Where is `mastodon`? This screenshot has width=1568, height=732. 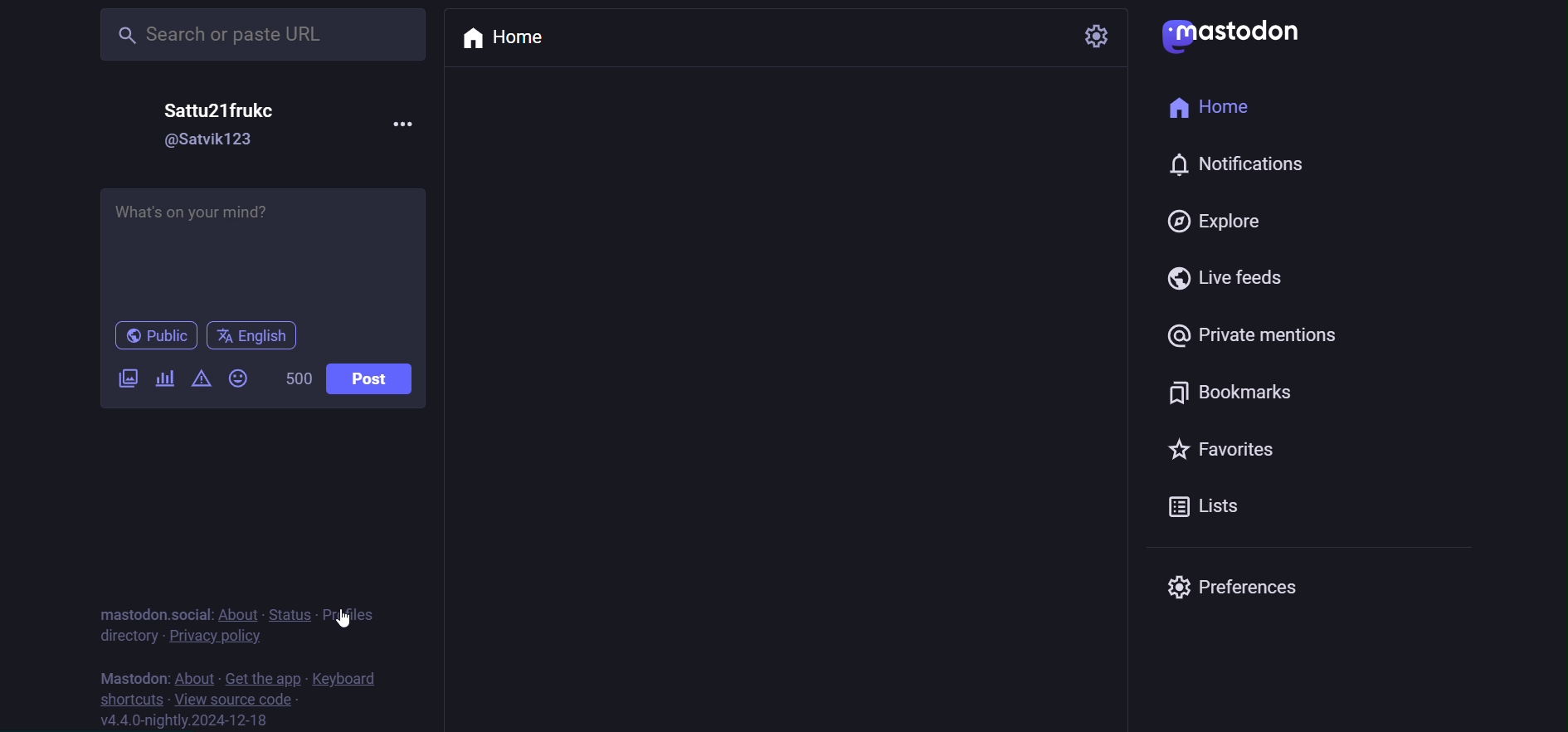 mastodon is located at coordinates (1245, 35).